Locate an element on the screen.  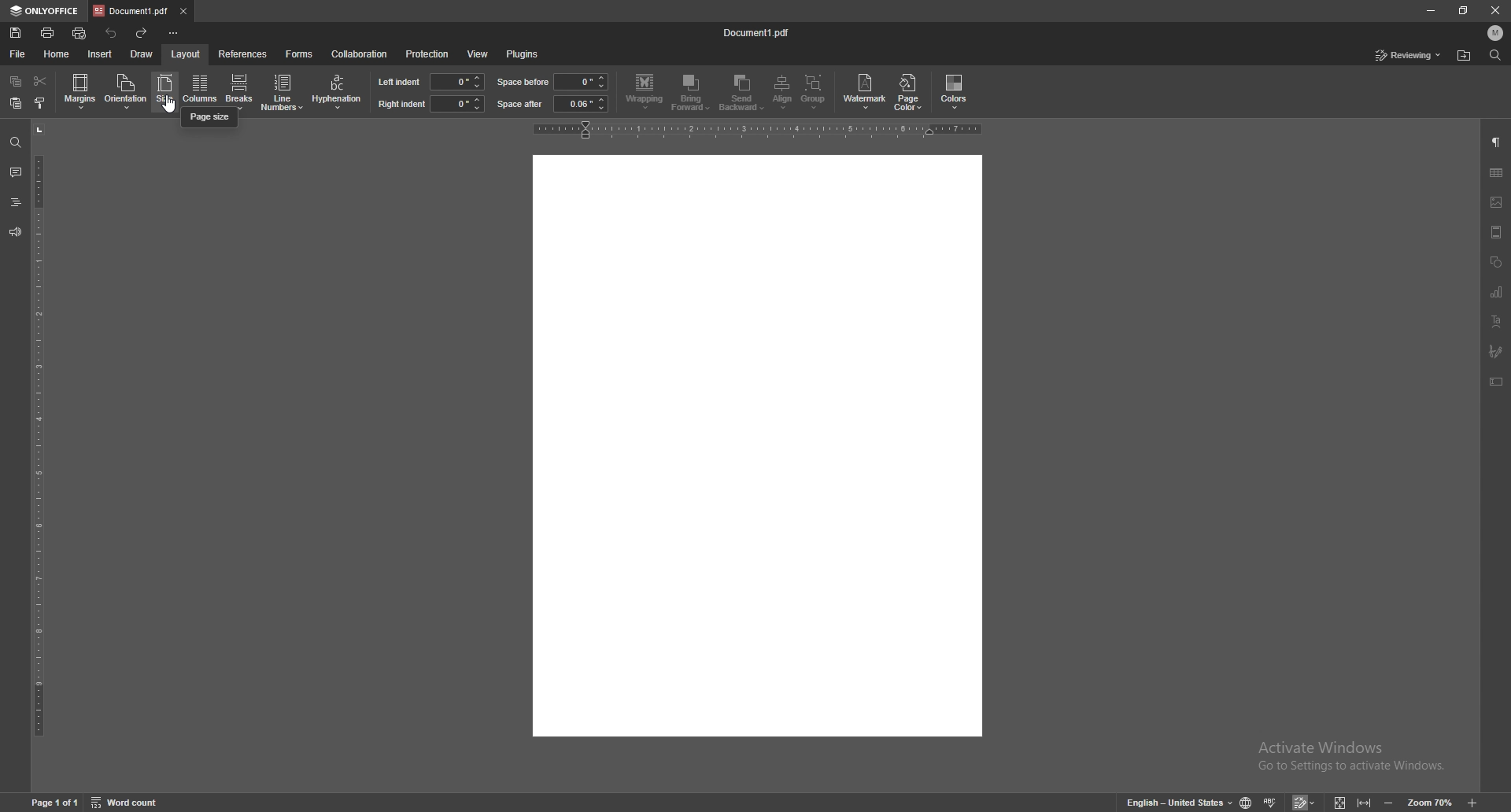
cut is located at coordinates (40, 81).